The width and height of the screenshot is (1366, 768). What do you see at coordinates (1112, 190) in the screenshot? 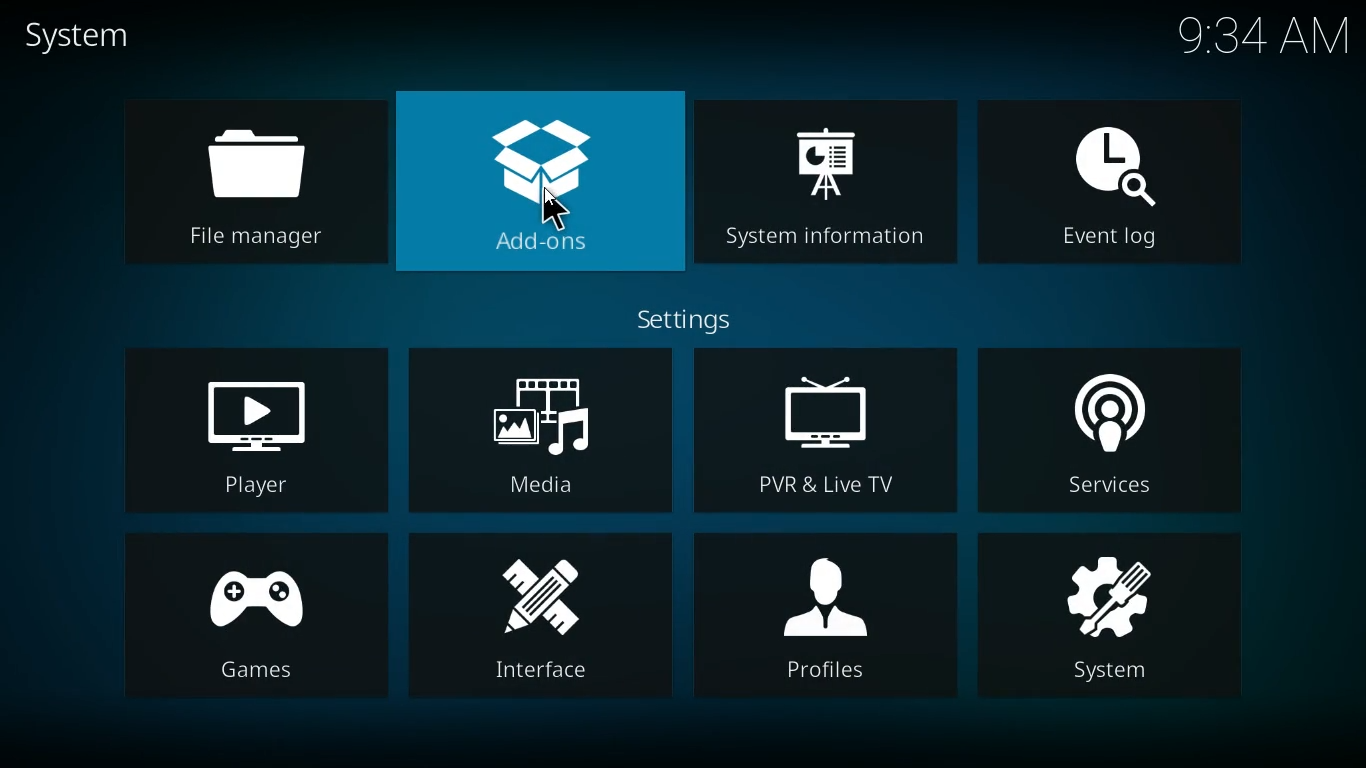
I see `event log` at bounding box center [1112, 190].